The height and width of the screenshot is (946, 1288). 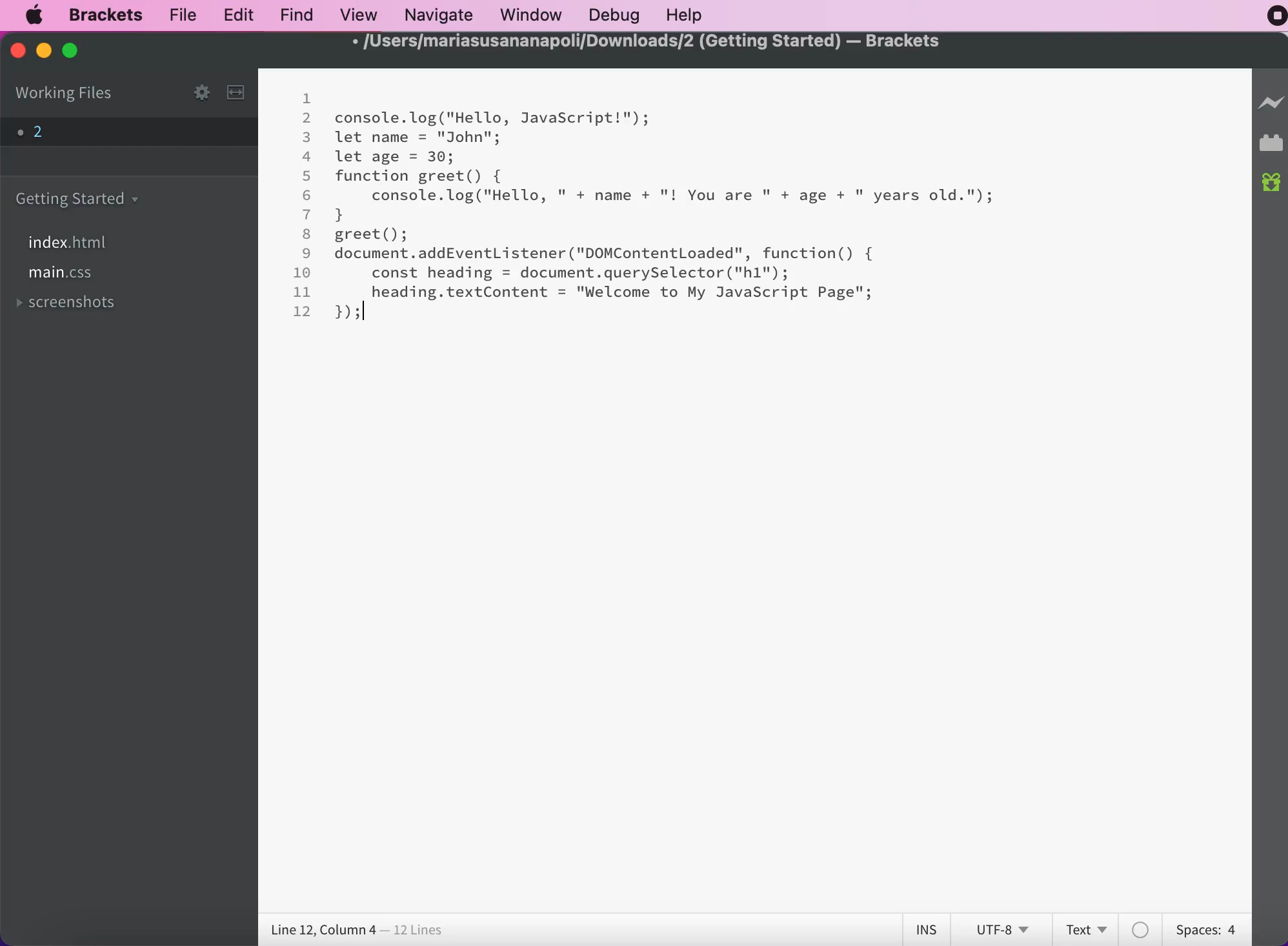 What do you see at coordinates (357, 14) in the screenshot?
I see `view` at bounding box center [357, 14].